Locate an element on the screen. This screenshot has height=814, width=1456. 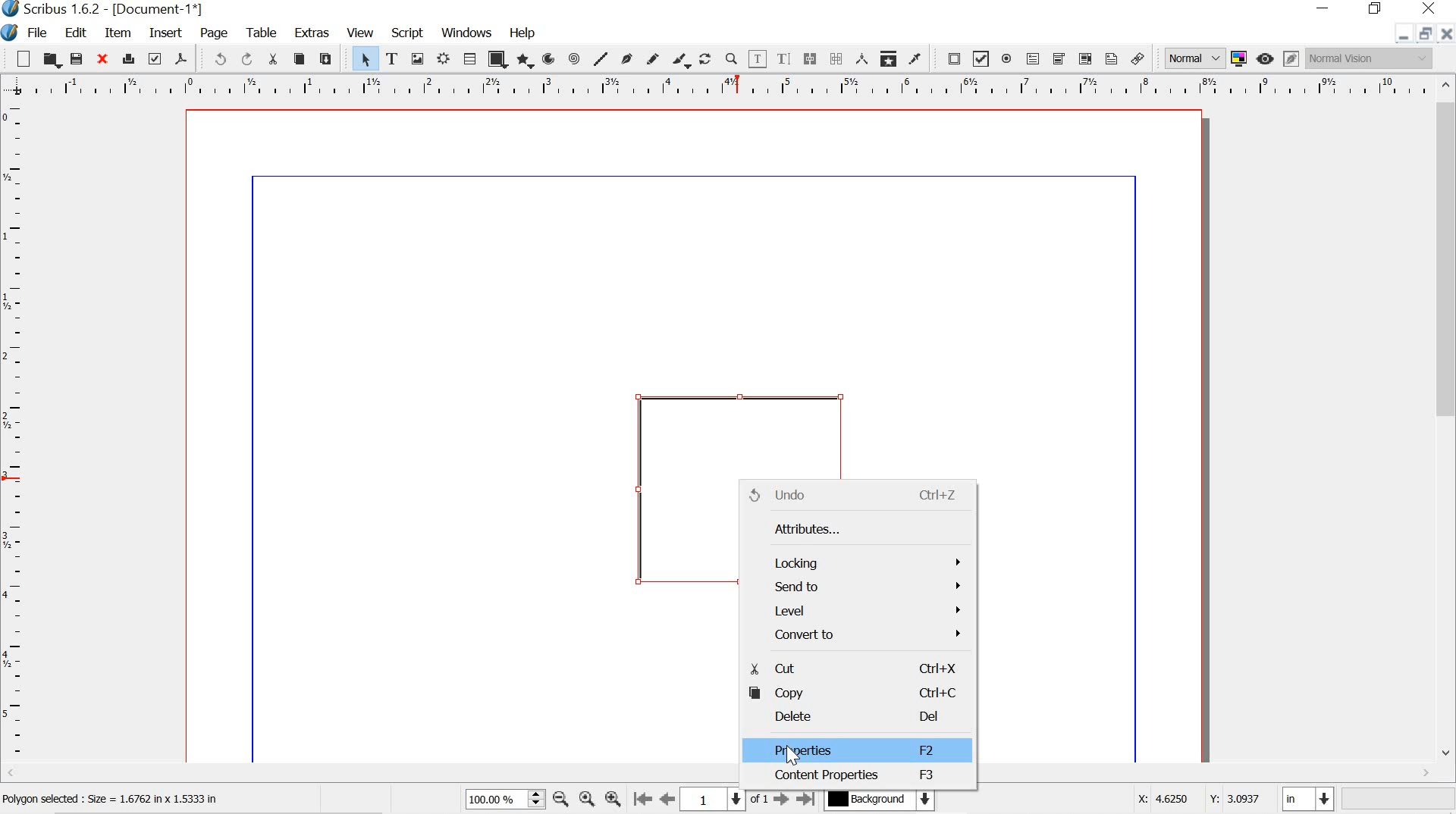
zoom in or out is located at coordinates (731, 58).